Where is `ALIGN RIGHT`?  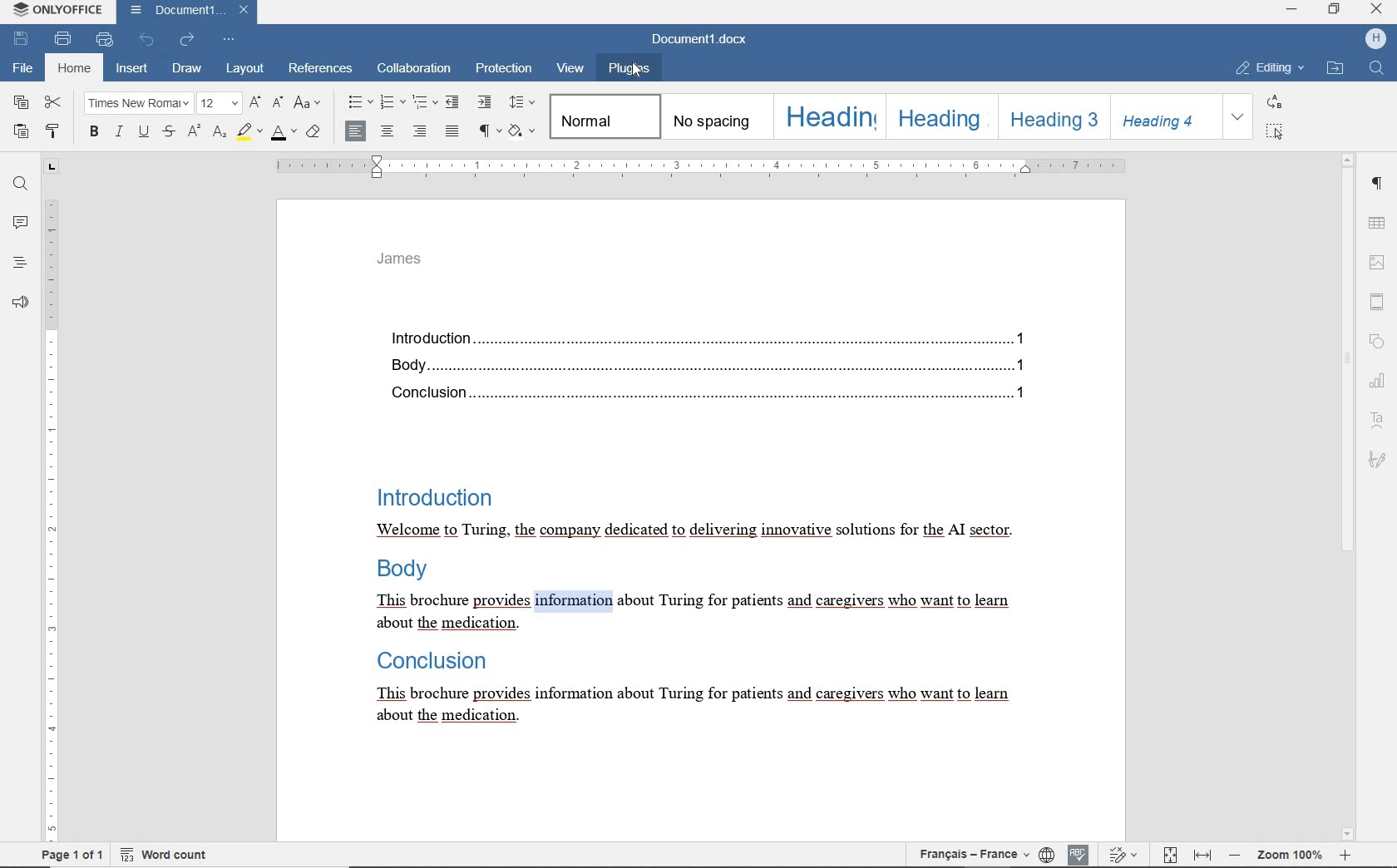
ALIGN RIGHT is located at coordinates (421, 131).